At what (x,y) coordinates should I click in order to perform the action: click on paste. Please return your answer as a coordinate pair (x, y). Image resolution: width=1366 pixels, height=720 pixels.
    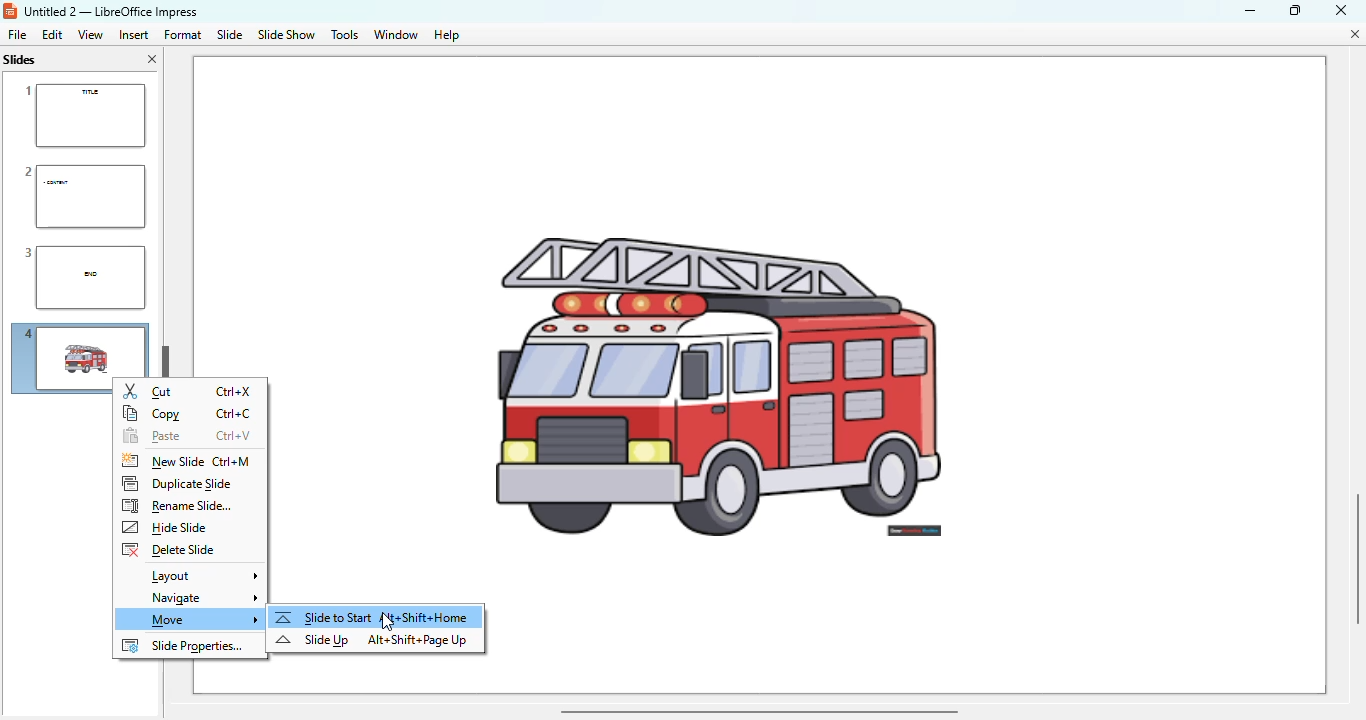
    Looking at the image, I should click on (151, 437).